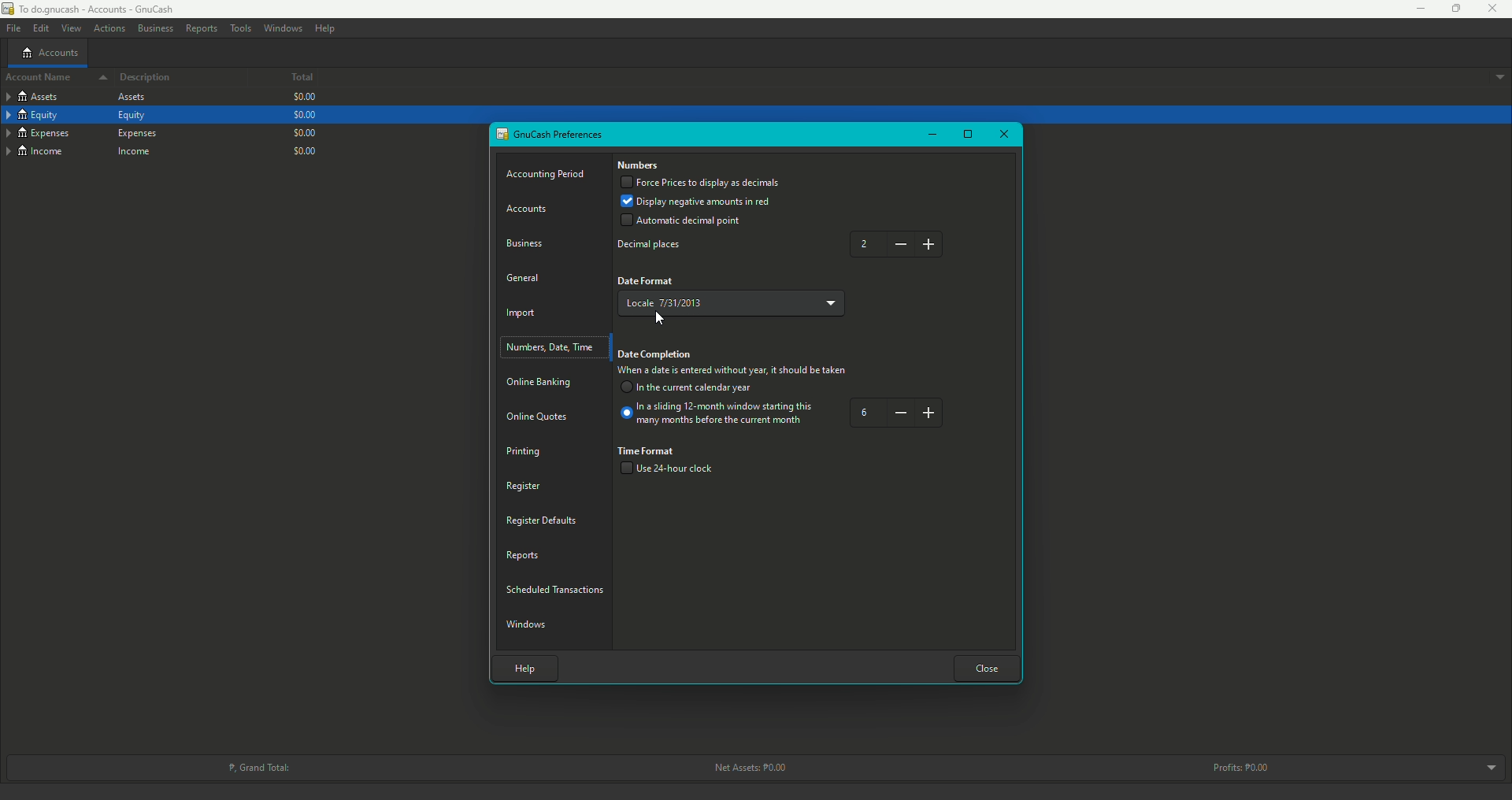 This screenshot has width=1512, height=800. Describe the element at coordinates (240, 28) in the screenshot. I see `Tools` at that location.